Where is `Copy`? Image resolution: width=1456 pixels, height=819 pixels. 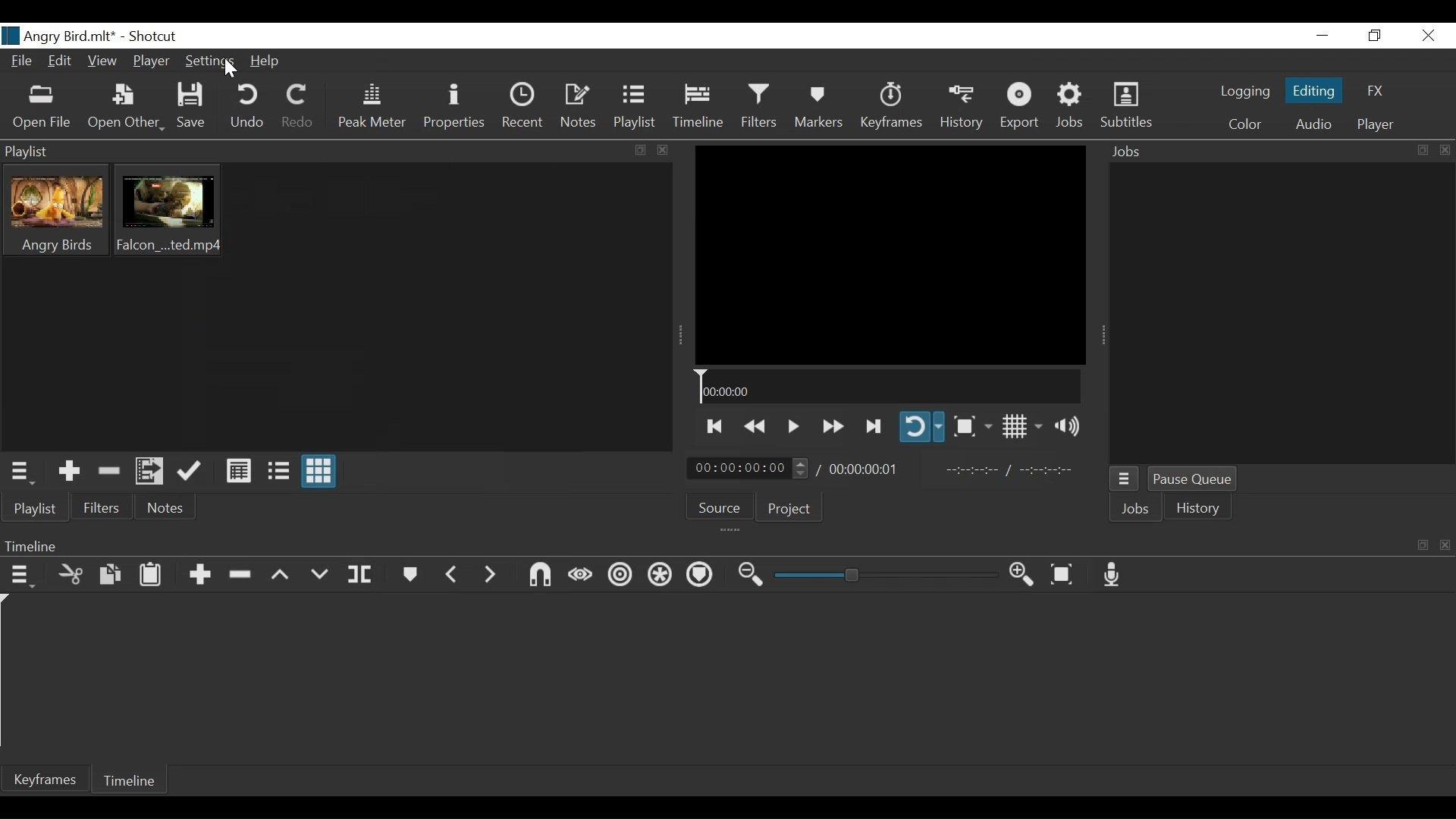 Copy is located at coordinates (111, 577).